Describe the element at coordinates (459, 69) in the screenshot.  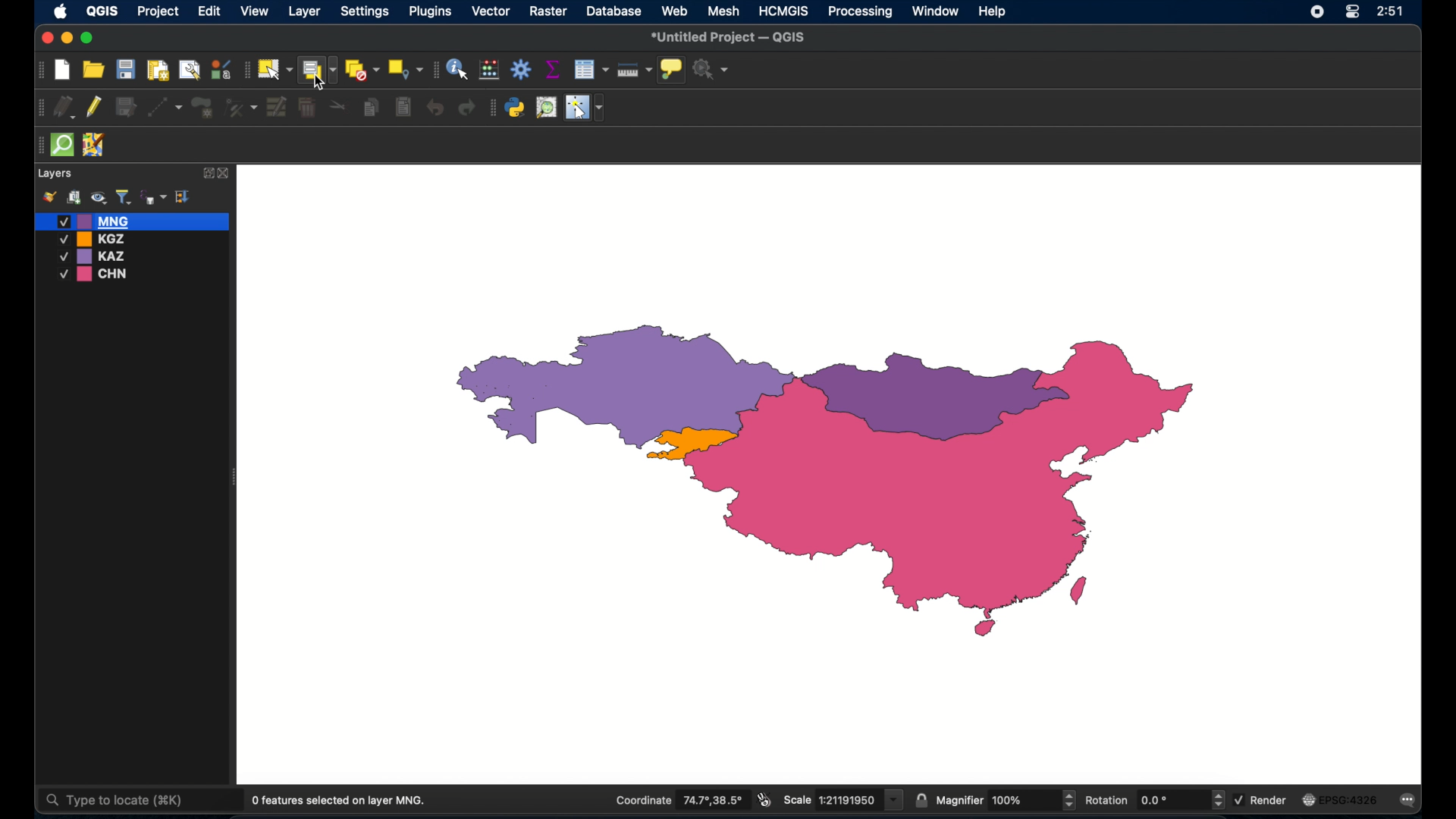
I see `identify feature` at that location.